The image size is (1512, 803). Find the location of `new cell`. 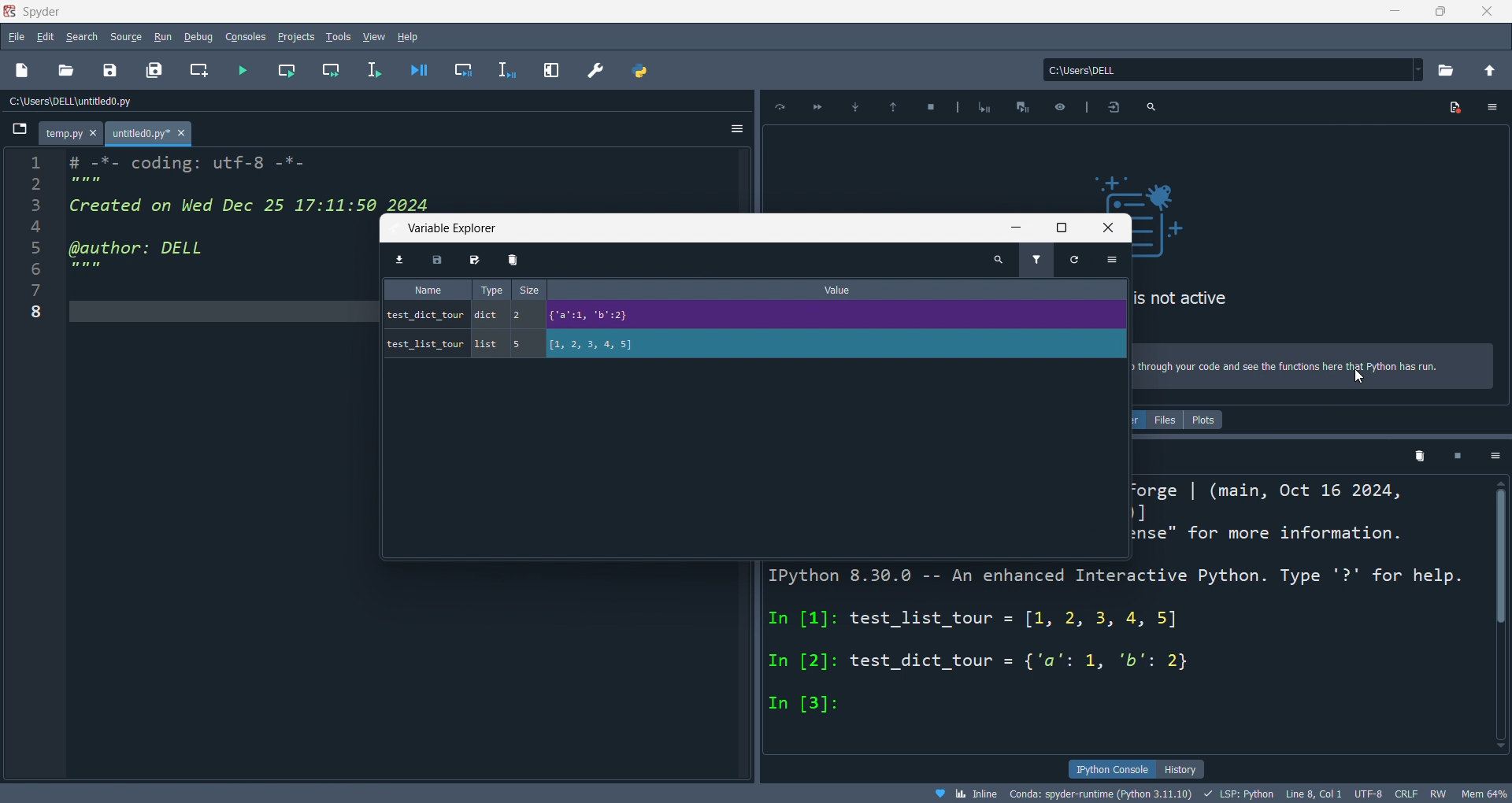

new cell is located at coordinates (201, 71).